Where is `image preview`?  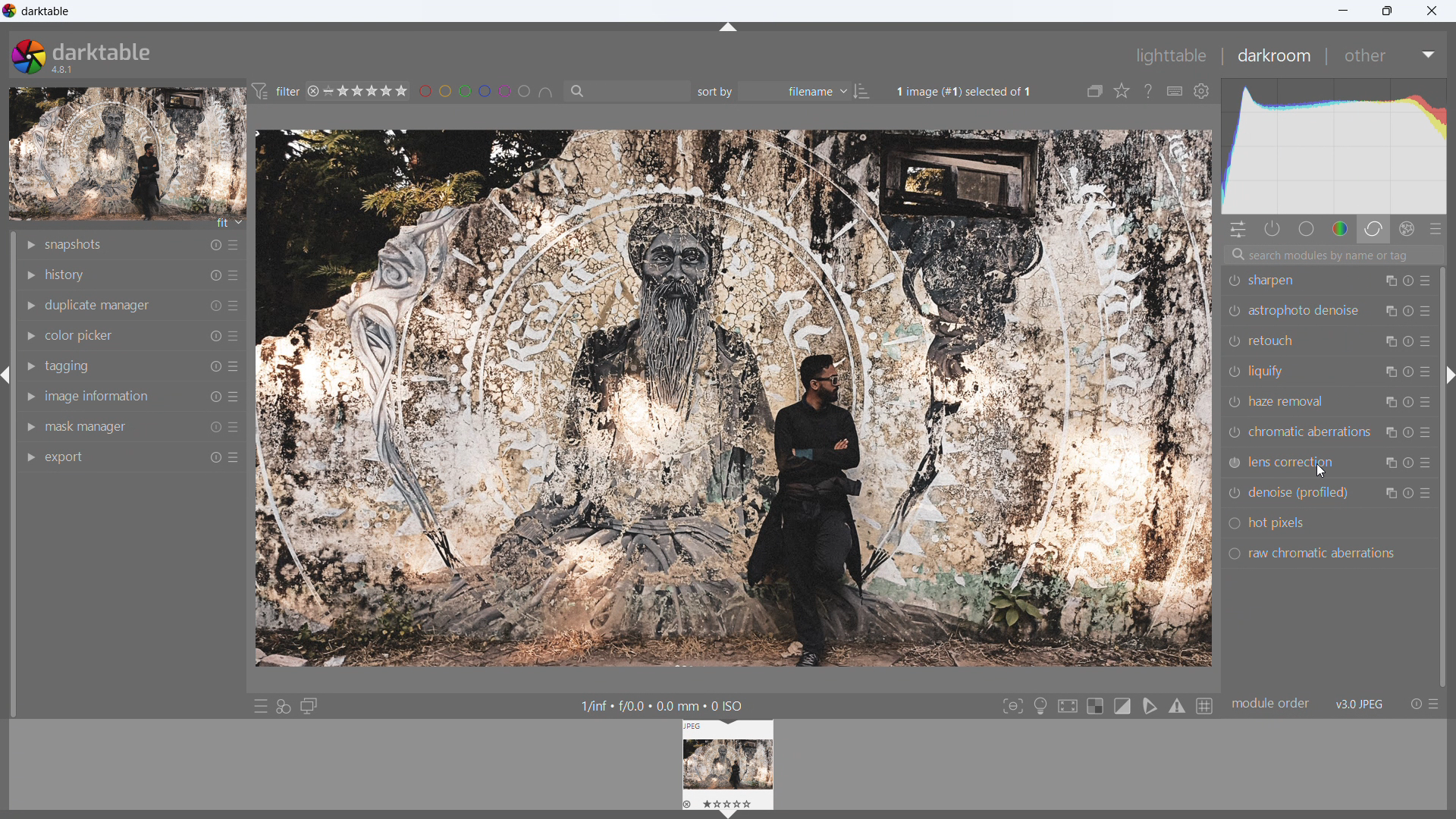
image preview is located at coordinates (127, 151).